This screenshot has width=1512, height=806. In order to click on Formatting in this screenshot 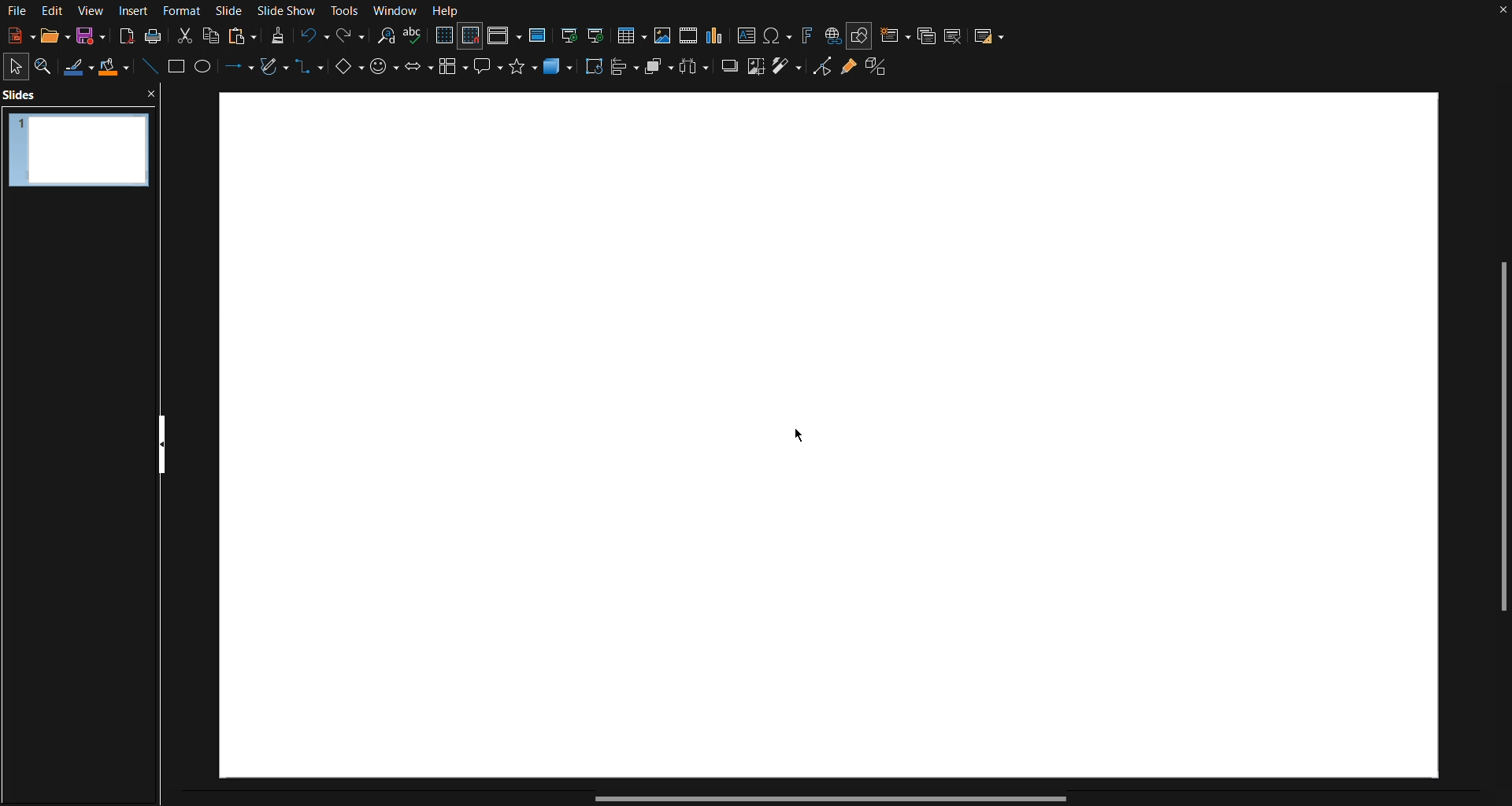, I will do `click(277, 35)`.